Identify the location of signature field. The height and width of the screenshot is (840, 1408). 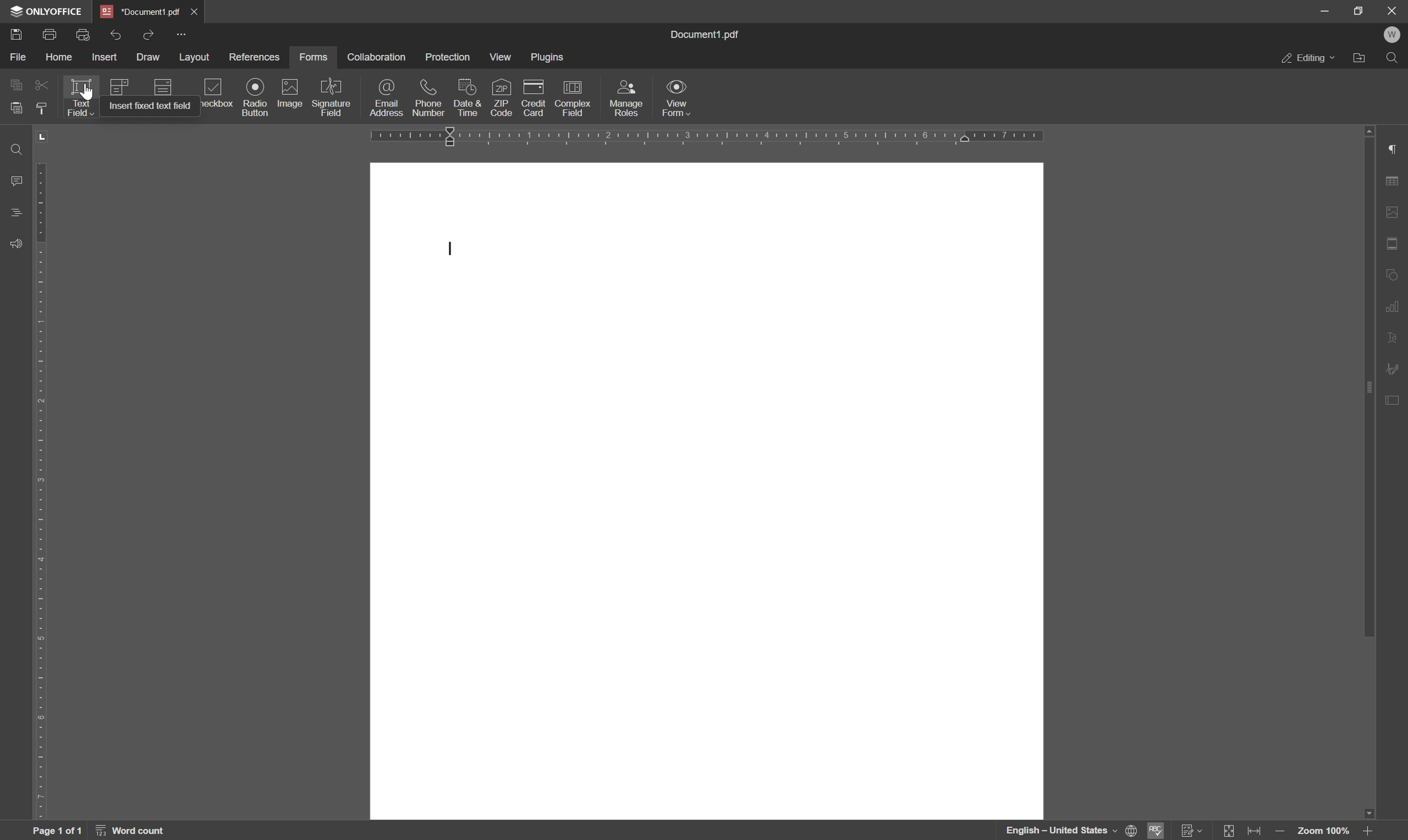
(335, 96).